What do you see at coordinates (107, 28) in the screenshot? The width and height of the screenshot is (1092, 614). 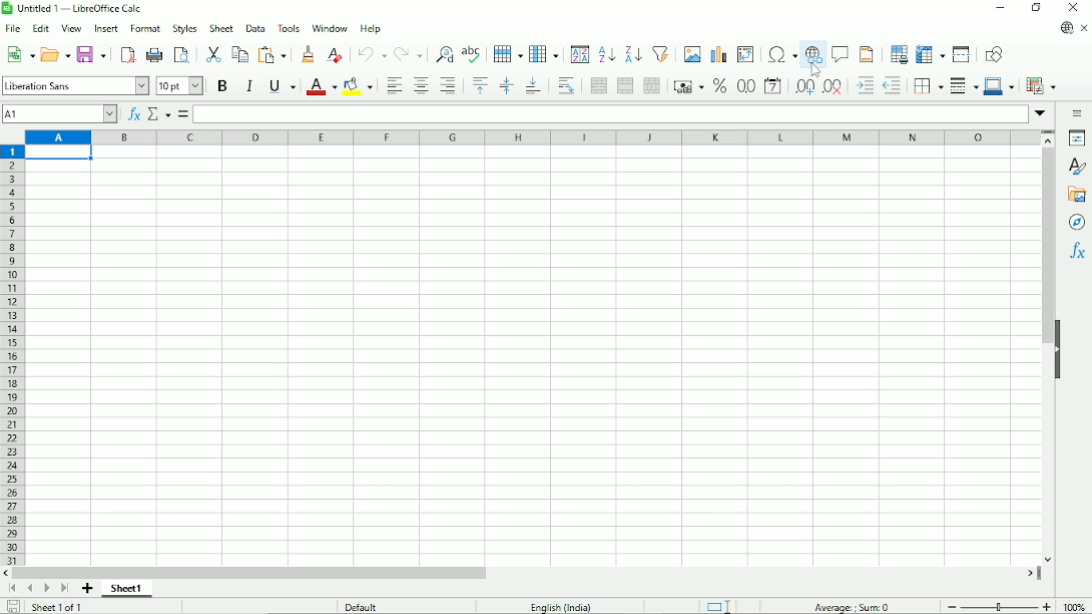 I see `insert` at bounding box center [107, 28].